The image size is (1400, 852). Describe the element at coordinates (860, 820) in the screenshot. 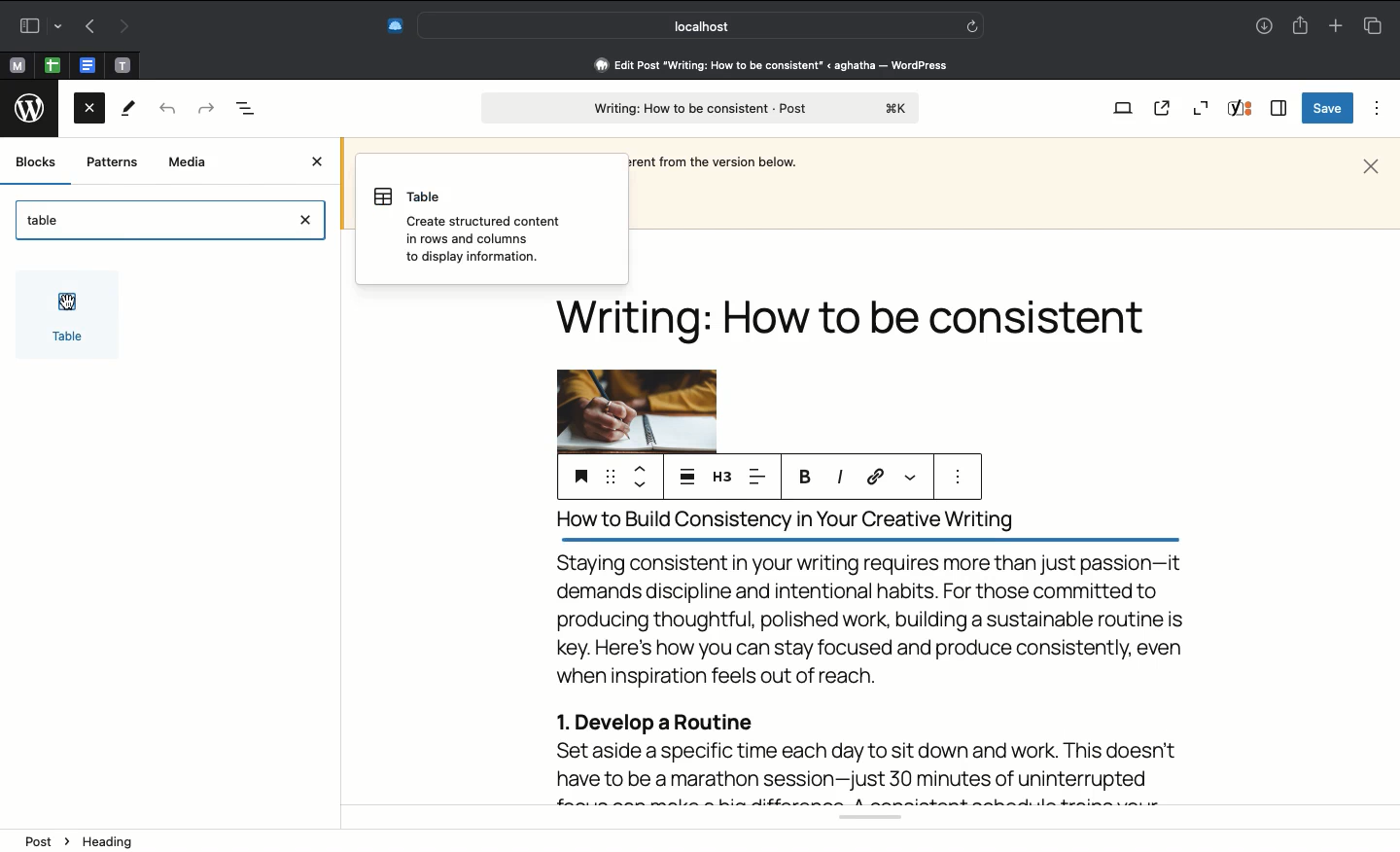

I see `Yoast` at that location.